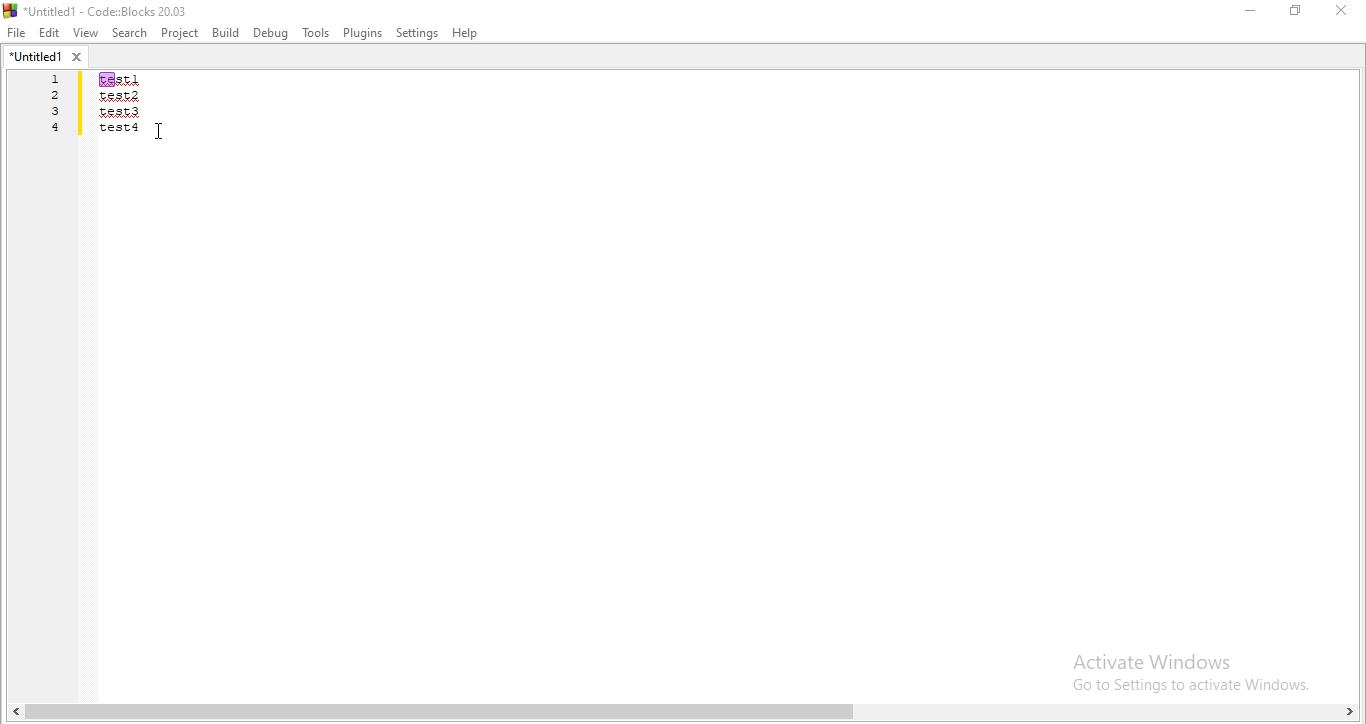 The height and width of the screenshot is (724, 1366). What do you see at coordinates (271, 33) in the screenshot?
I see `Debug ` at bounding box center [271, 33].